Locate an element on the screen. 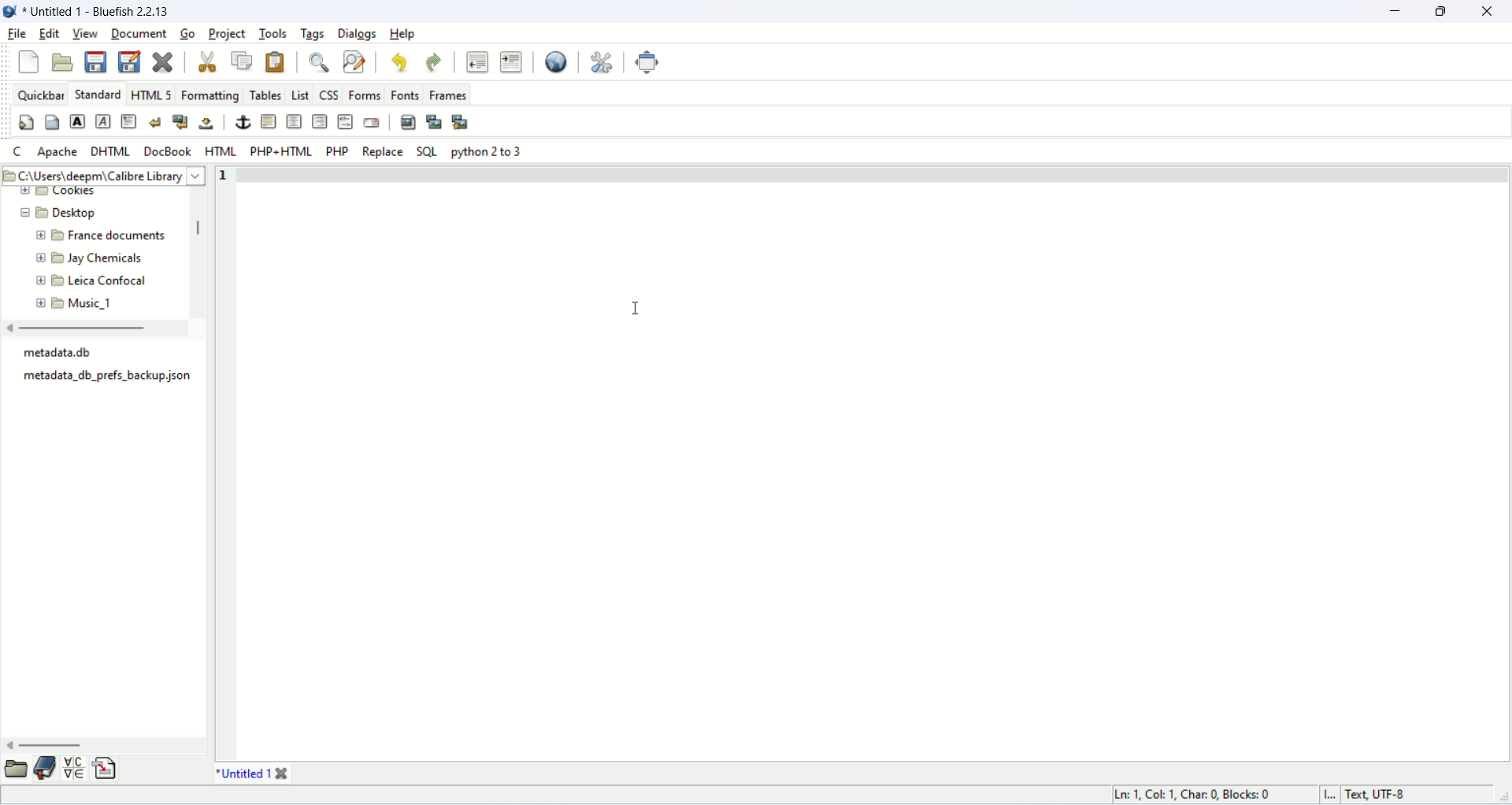 This screenshot has width=1512, height=805. replace is located at coordinates (382, 150).